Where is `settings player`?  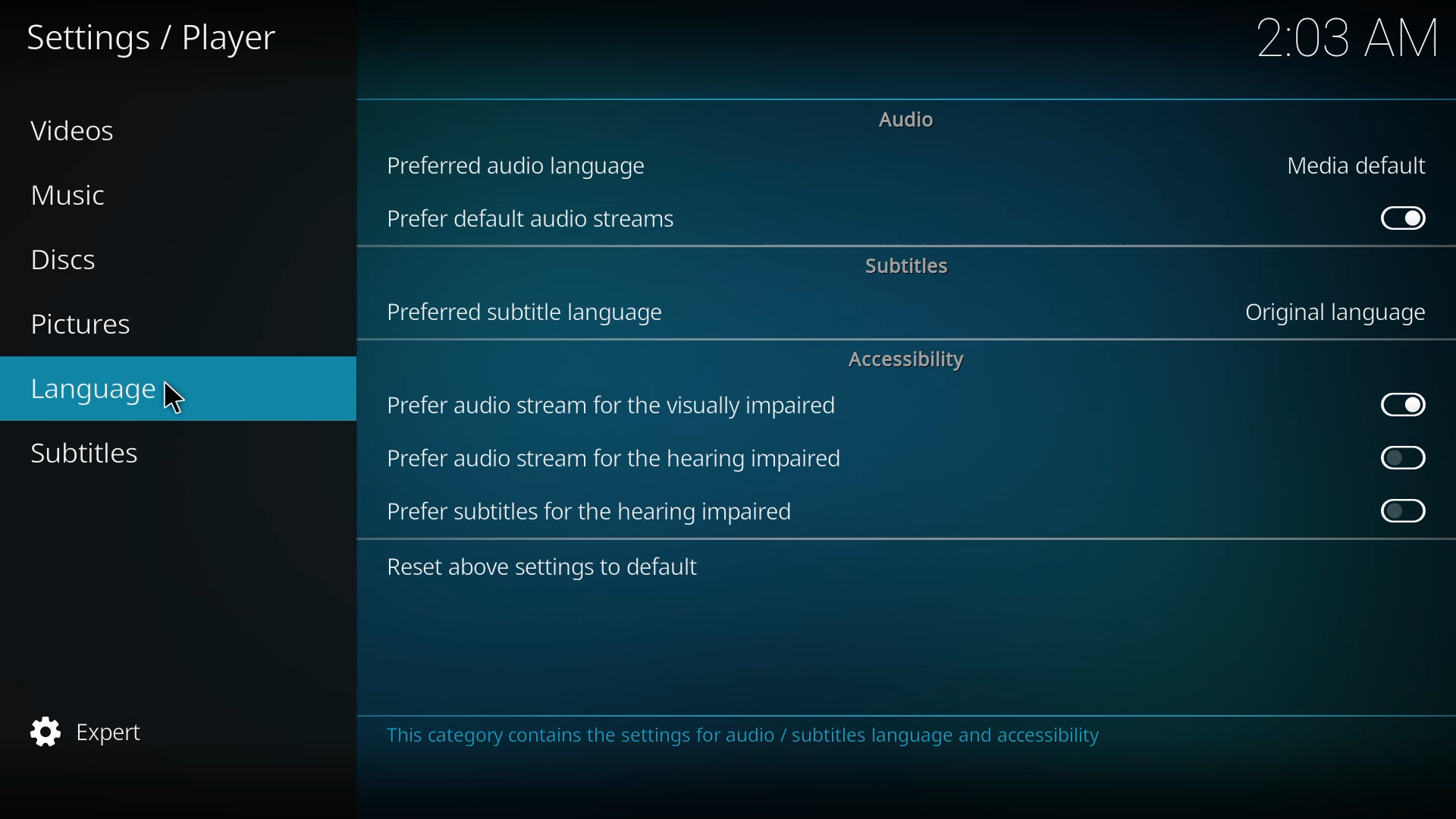
settings player is located at coordinates (152, 37).